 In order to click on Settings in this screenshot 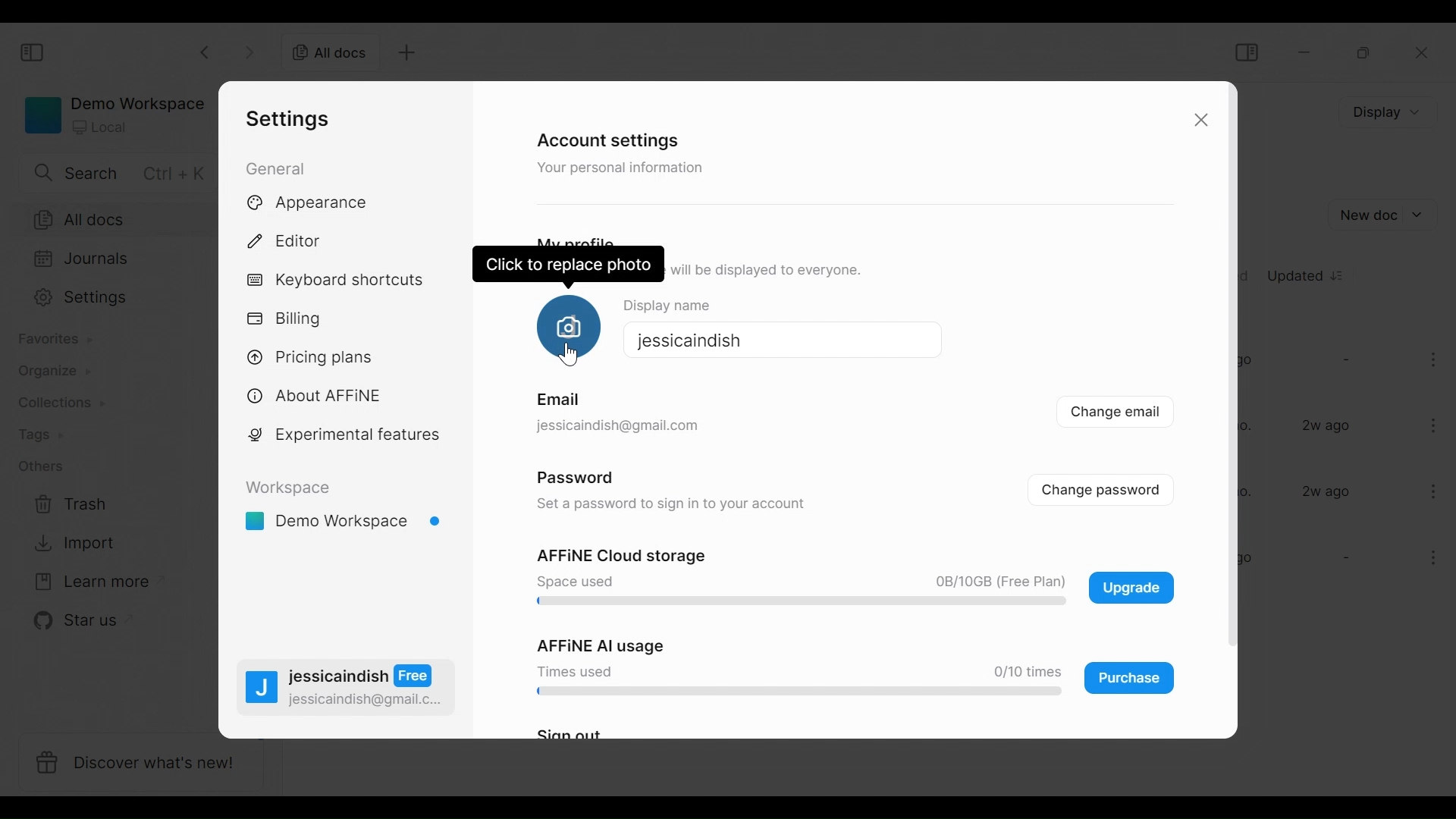, I will do `click(119, 300)`.